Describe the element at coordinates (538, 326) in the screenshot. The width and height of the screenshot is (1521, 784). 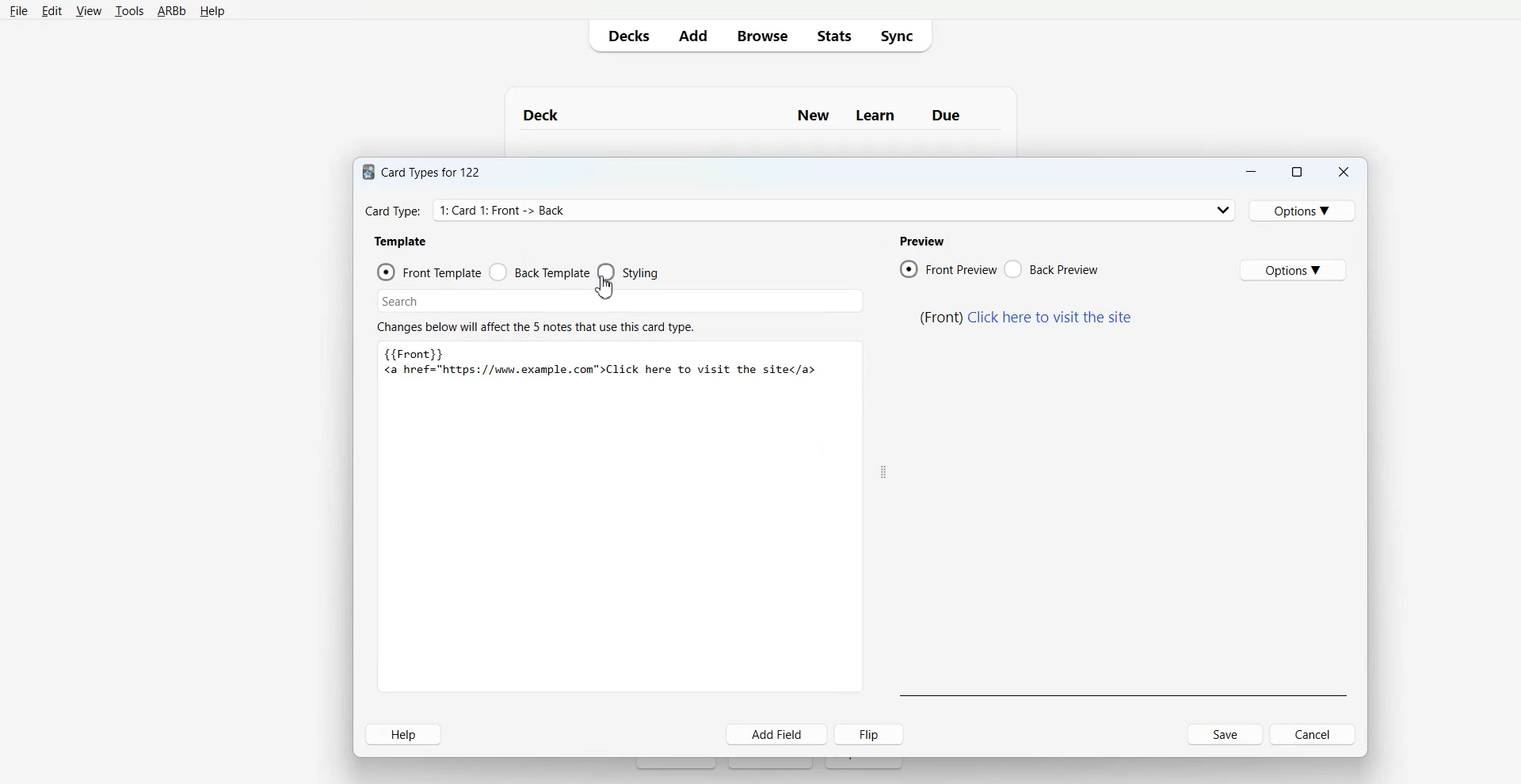
I see `text 6` at that location.